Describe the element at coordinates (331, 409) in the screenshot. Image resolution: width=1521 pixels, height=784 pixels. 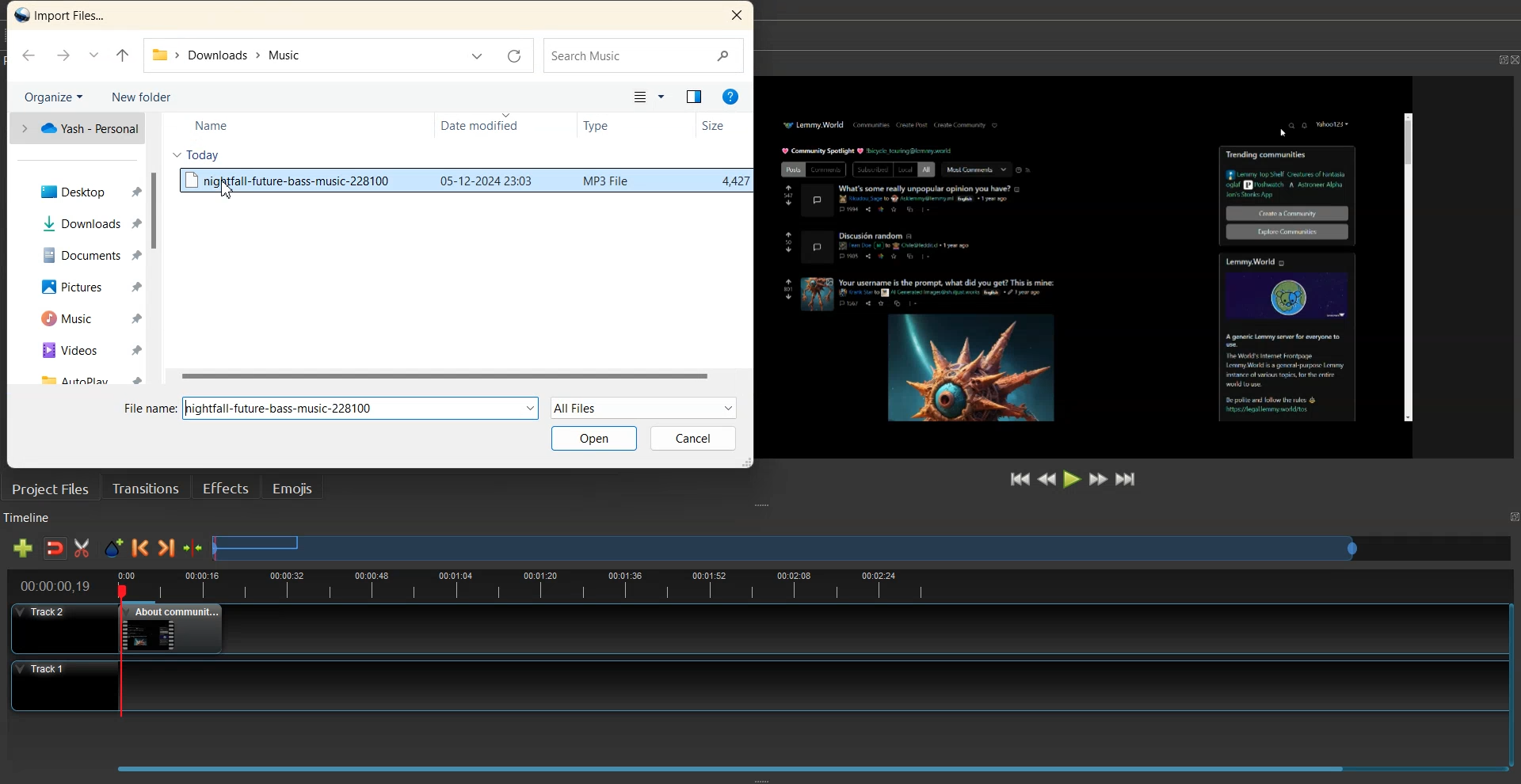
I see `File Name` at that location.